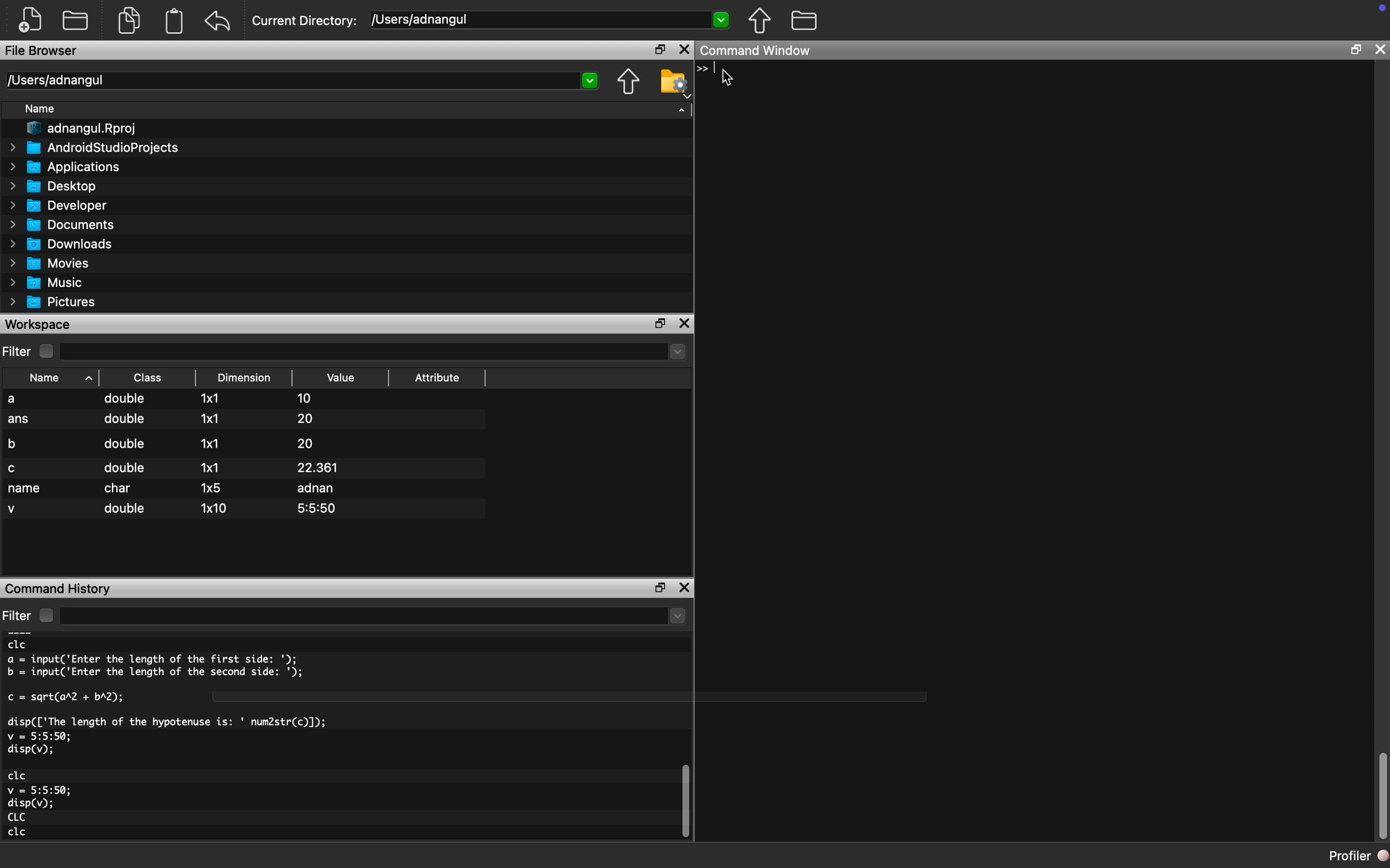 This screenshot has width=1390, height=868. I want to click on Prompt cursor, so click(708, 69).